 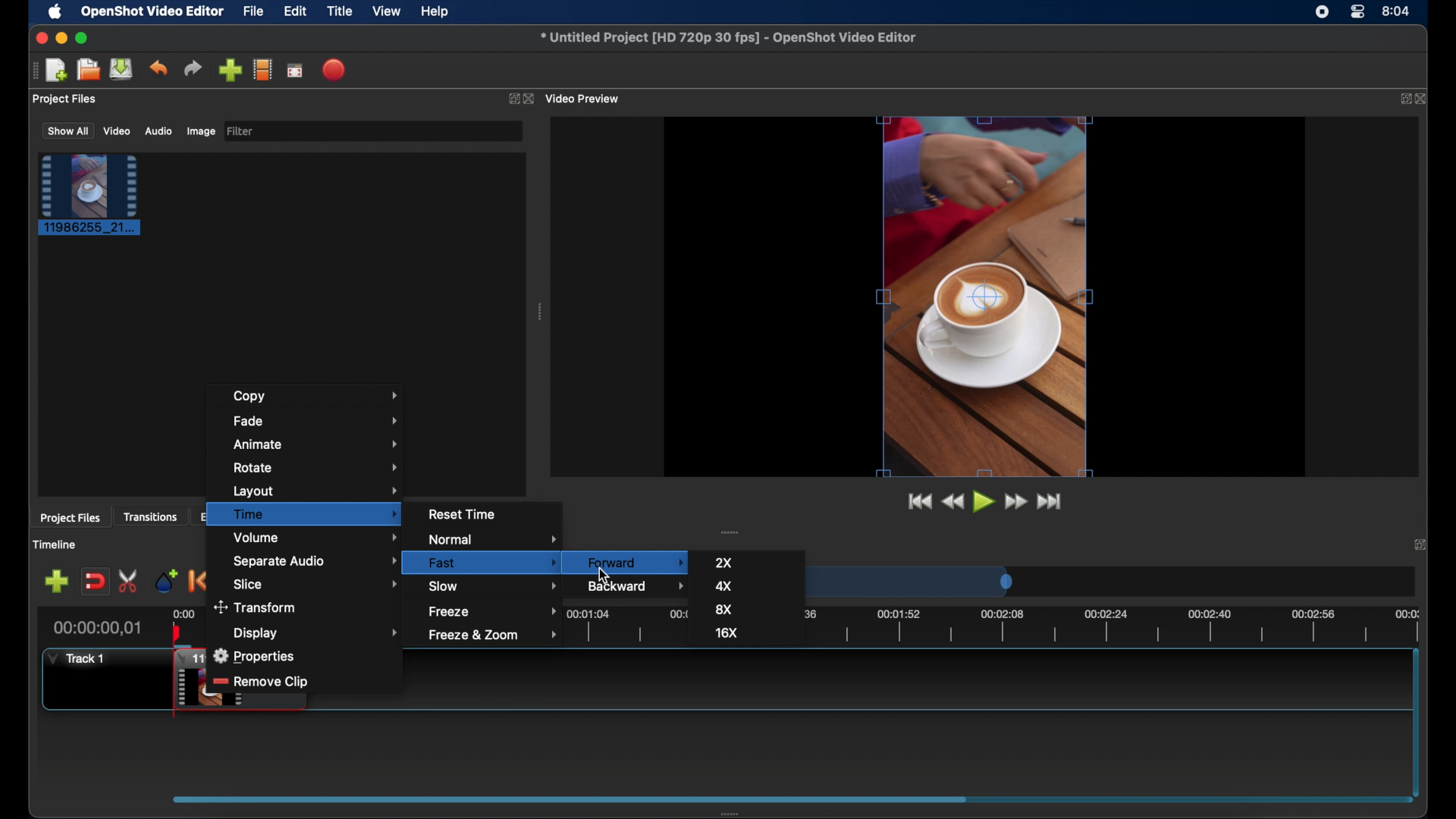 What do you see at coordinates (723, 585) in the screenshot?
I see `4x` at bounding box center [723, 585].